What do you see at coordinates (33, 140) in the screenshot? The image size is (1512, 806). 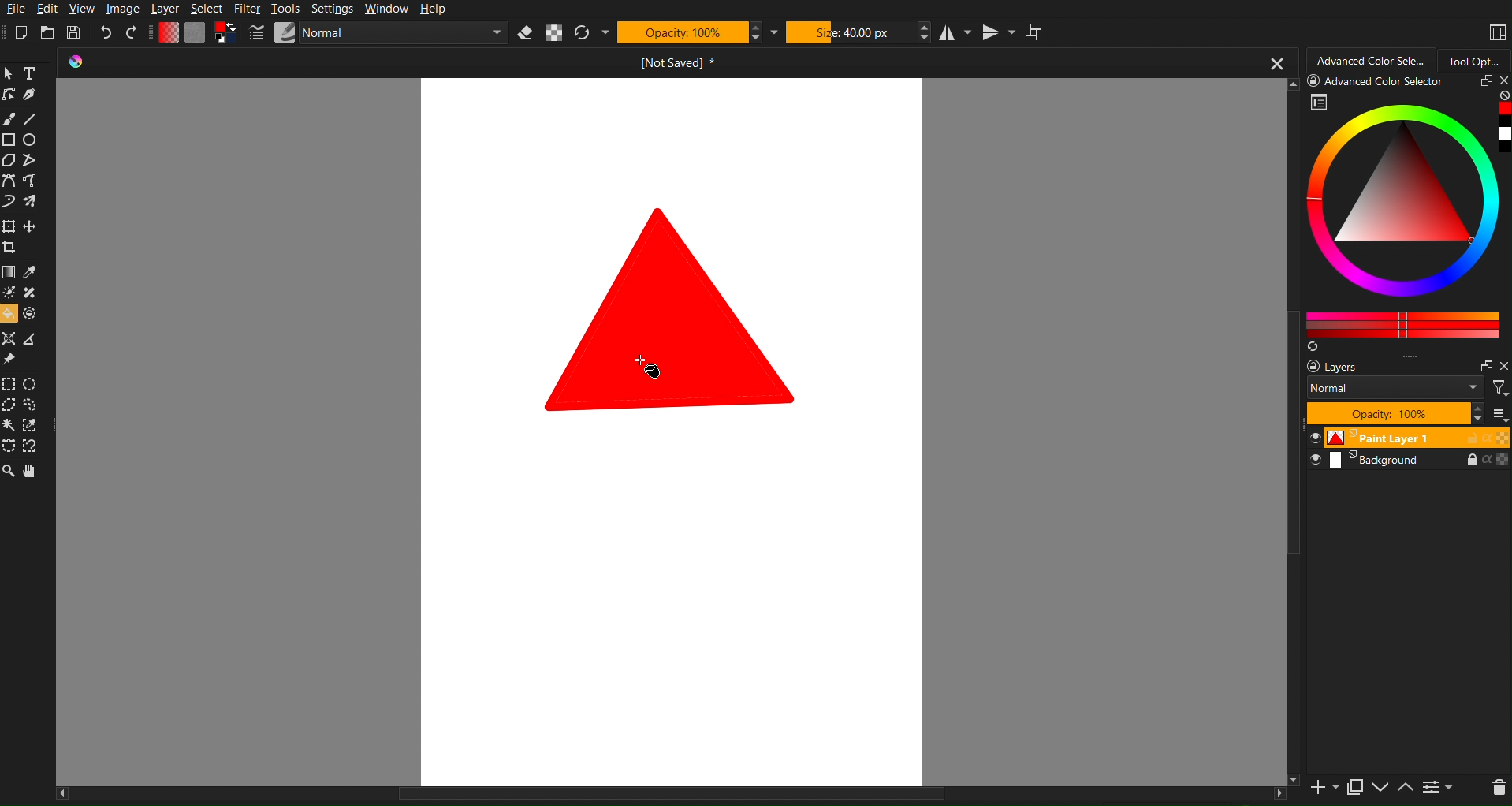 I see `ellipse tool` at bounding box center [33, 140].